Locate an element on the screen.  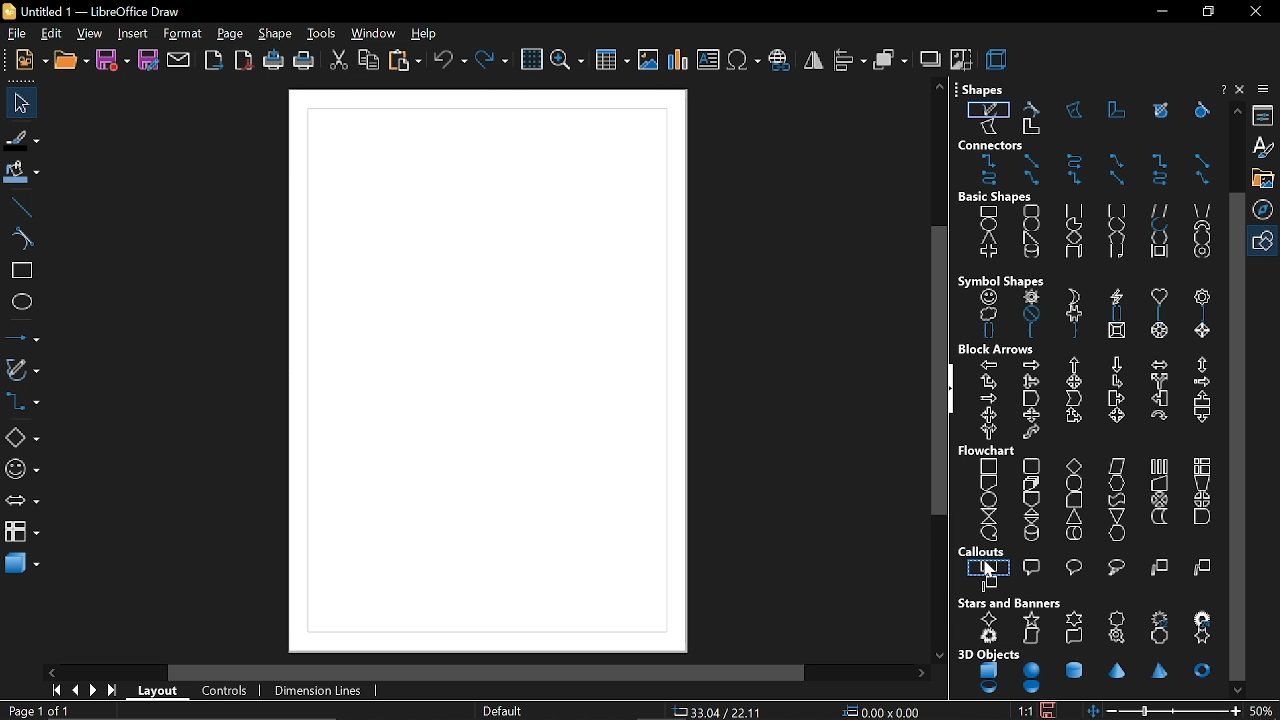
flowchart is located at coordinates (22, 532).